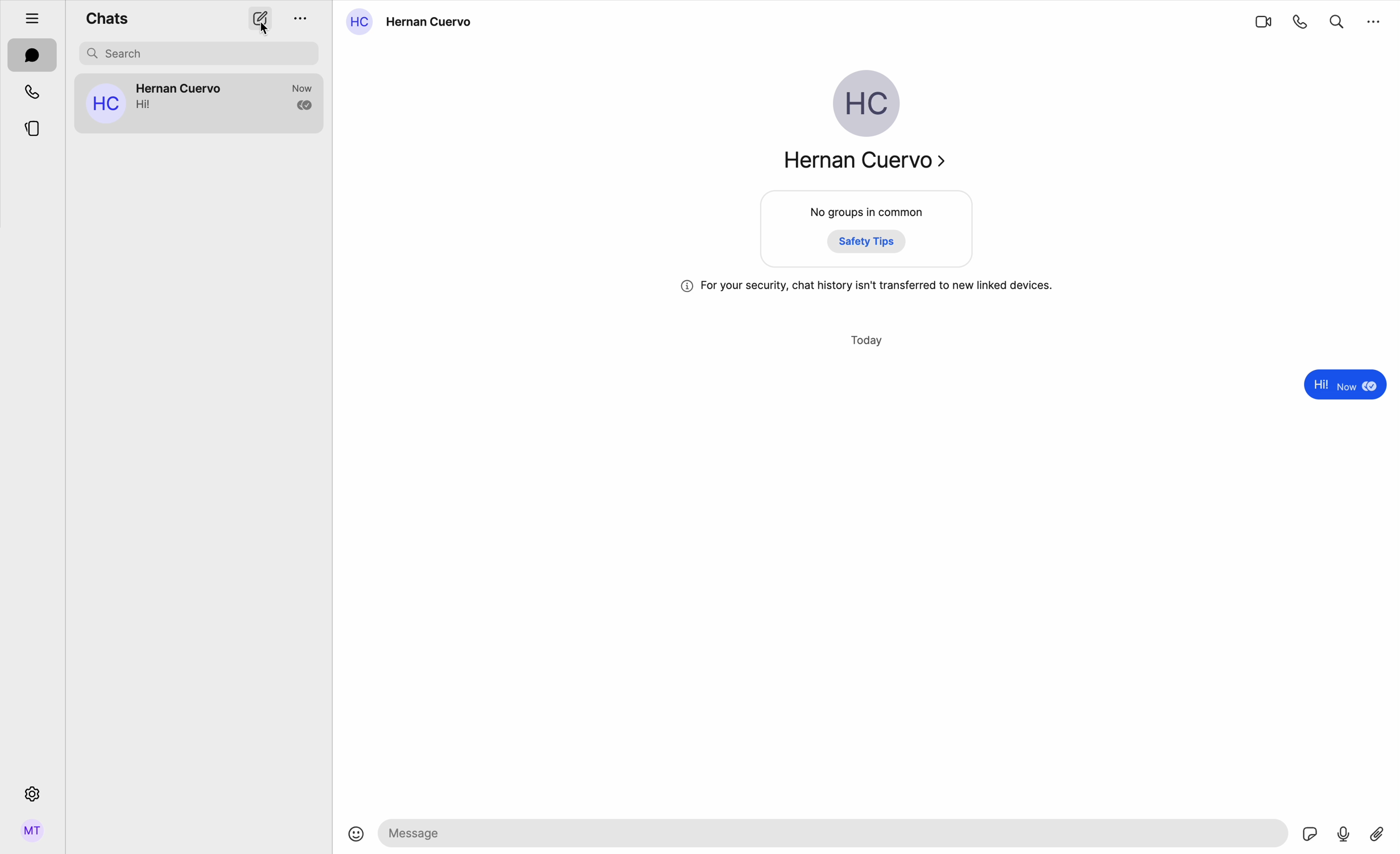 The width and height of the screenshot is (1400, 854). Describe the element at coordinates (1344, 832) in the screenshot. I see `voice record` at that location.